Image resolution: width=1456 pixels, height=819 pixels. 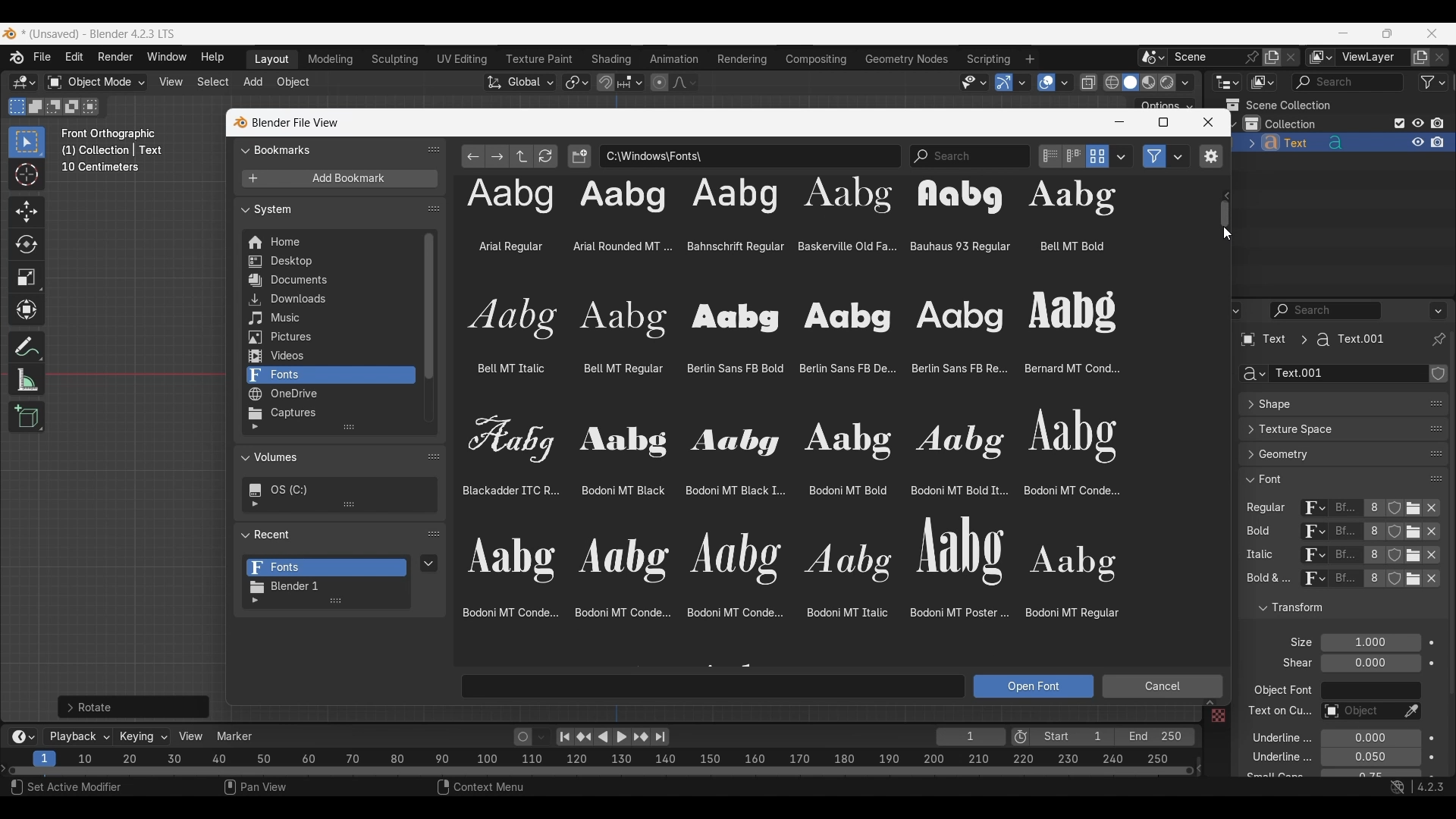 I want to click on , so click(x=1278, y=713).